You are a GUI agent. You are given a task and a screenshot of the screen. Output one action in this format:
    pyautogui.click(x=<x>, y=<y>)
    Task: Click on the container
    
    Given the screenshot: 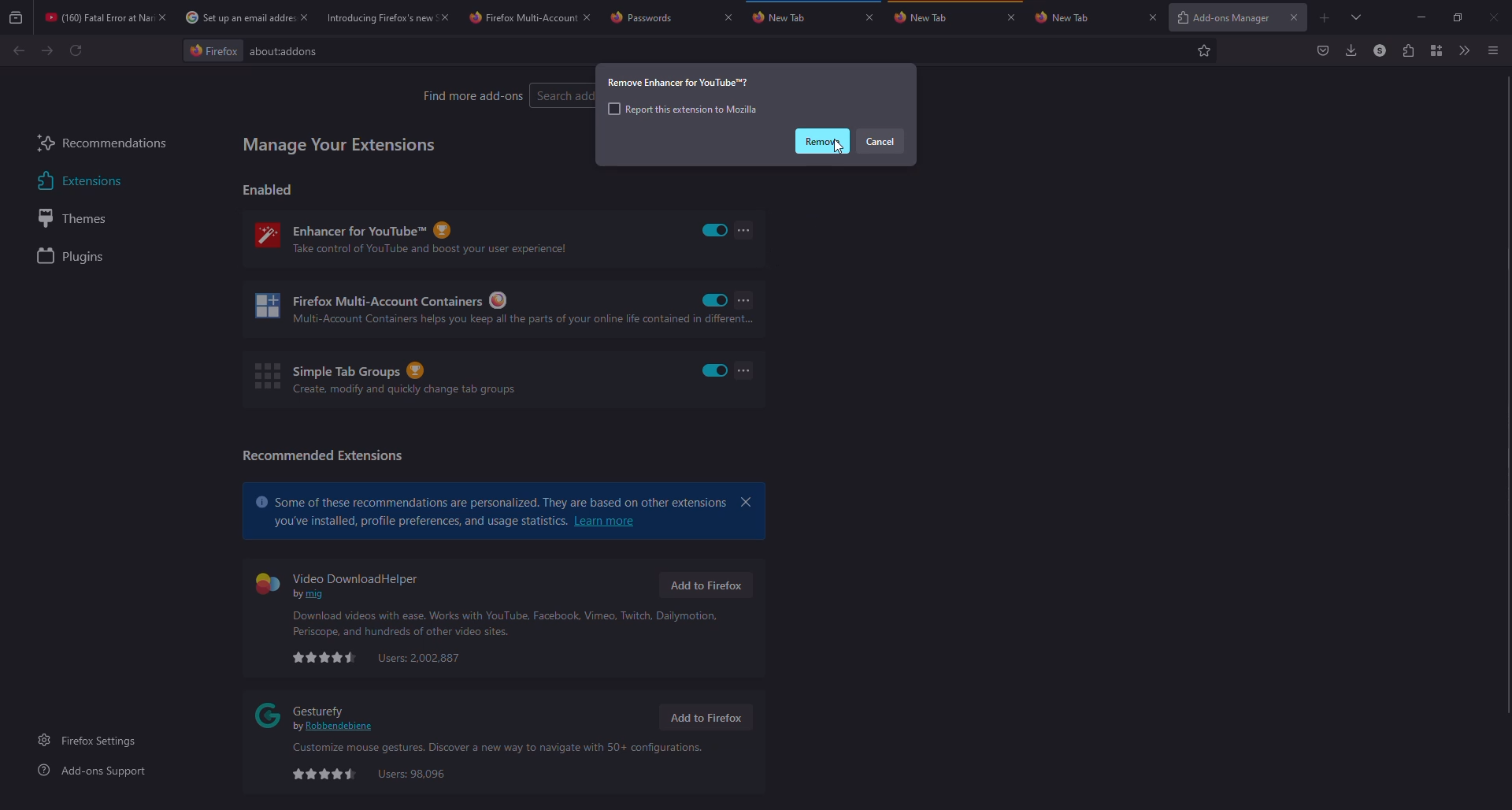 What is the action you would take?
    pyautogui.click(x=1436, y=50)
    